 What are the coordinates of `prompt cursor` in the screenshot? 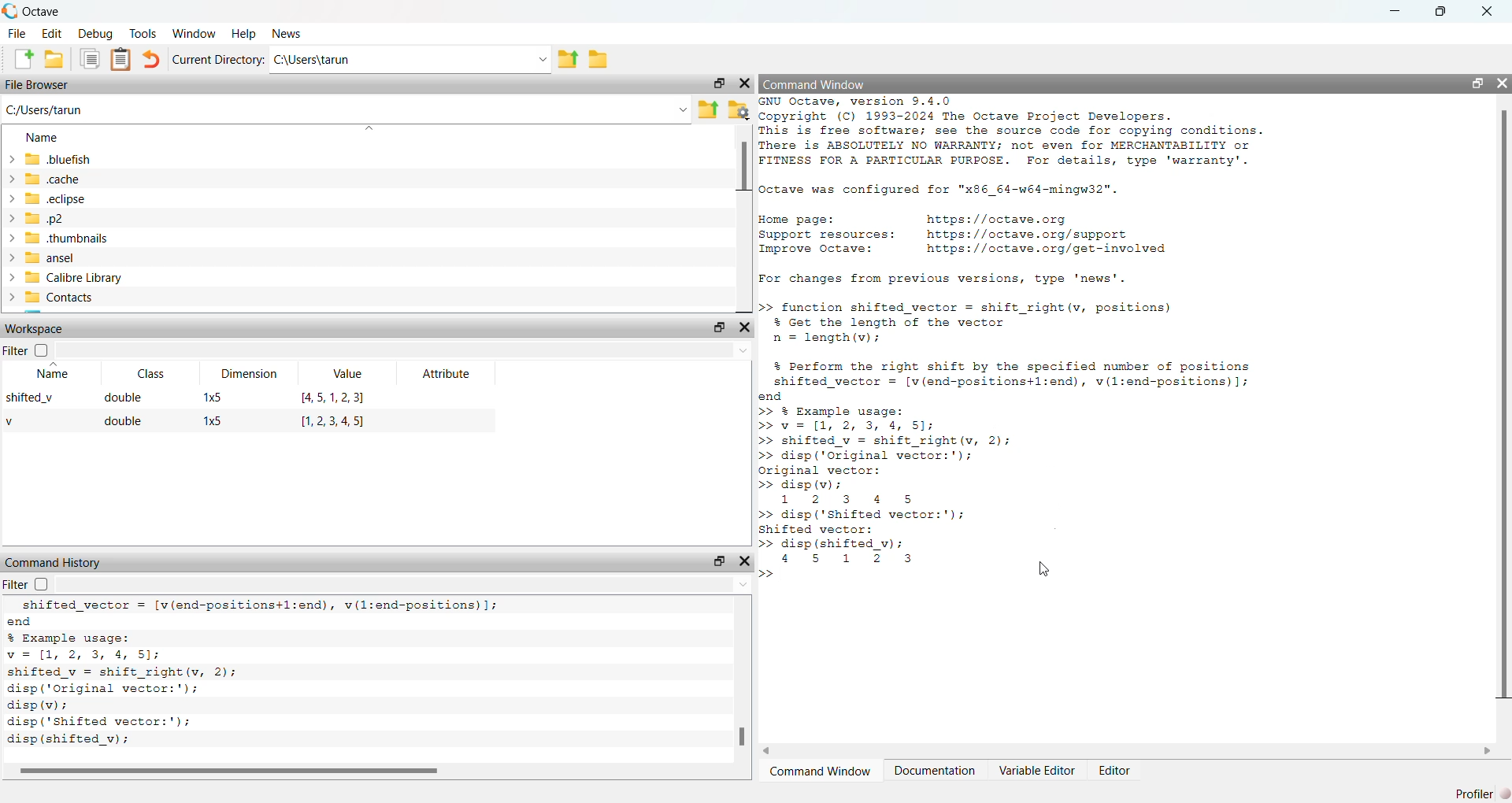 It's located at (769, 575).